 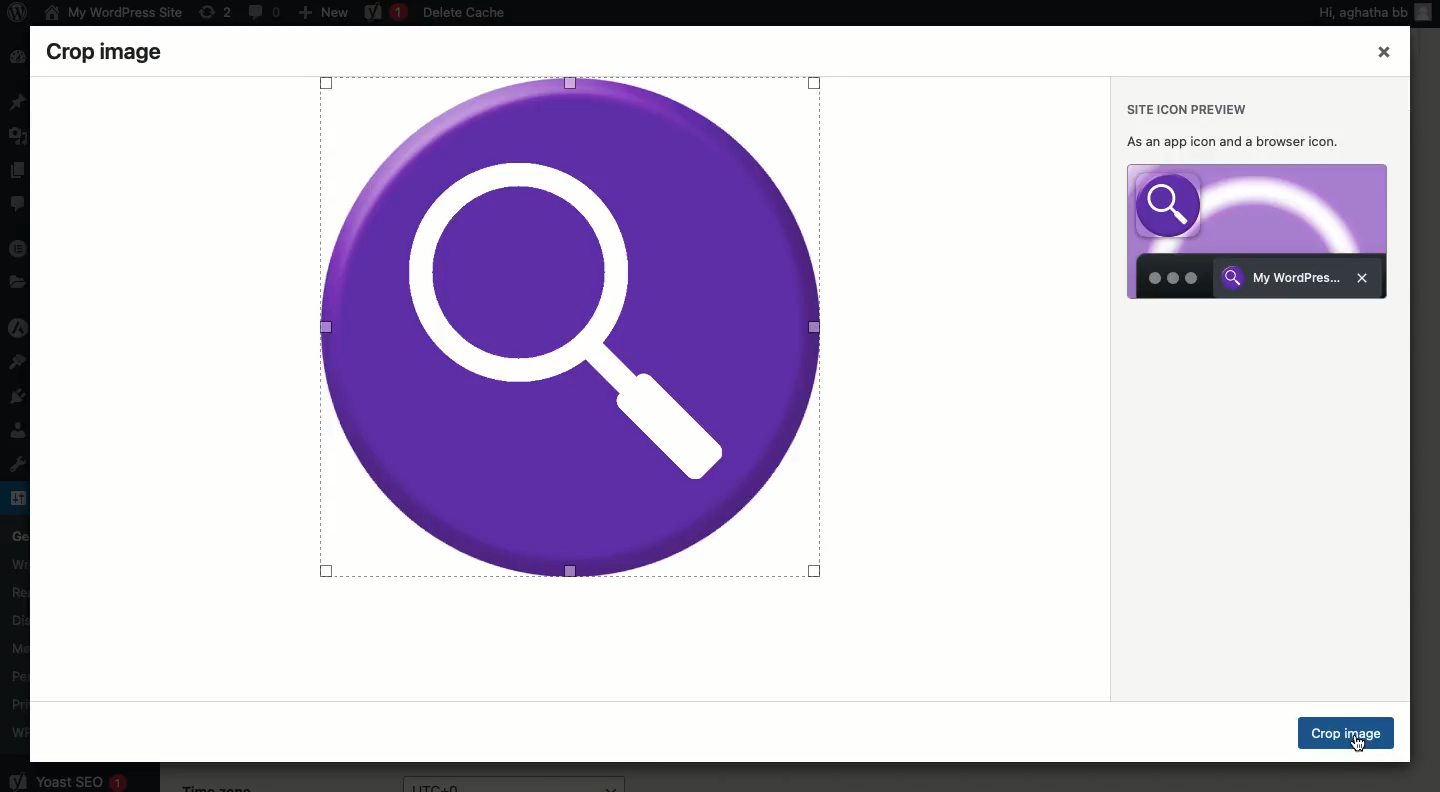 What do you see at coordinates (1366, 747) in the screenshot?
I see `cursor` at bounding box center [1366, 747].